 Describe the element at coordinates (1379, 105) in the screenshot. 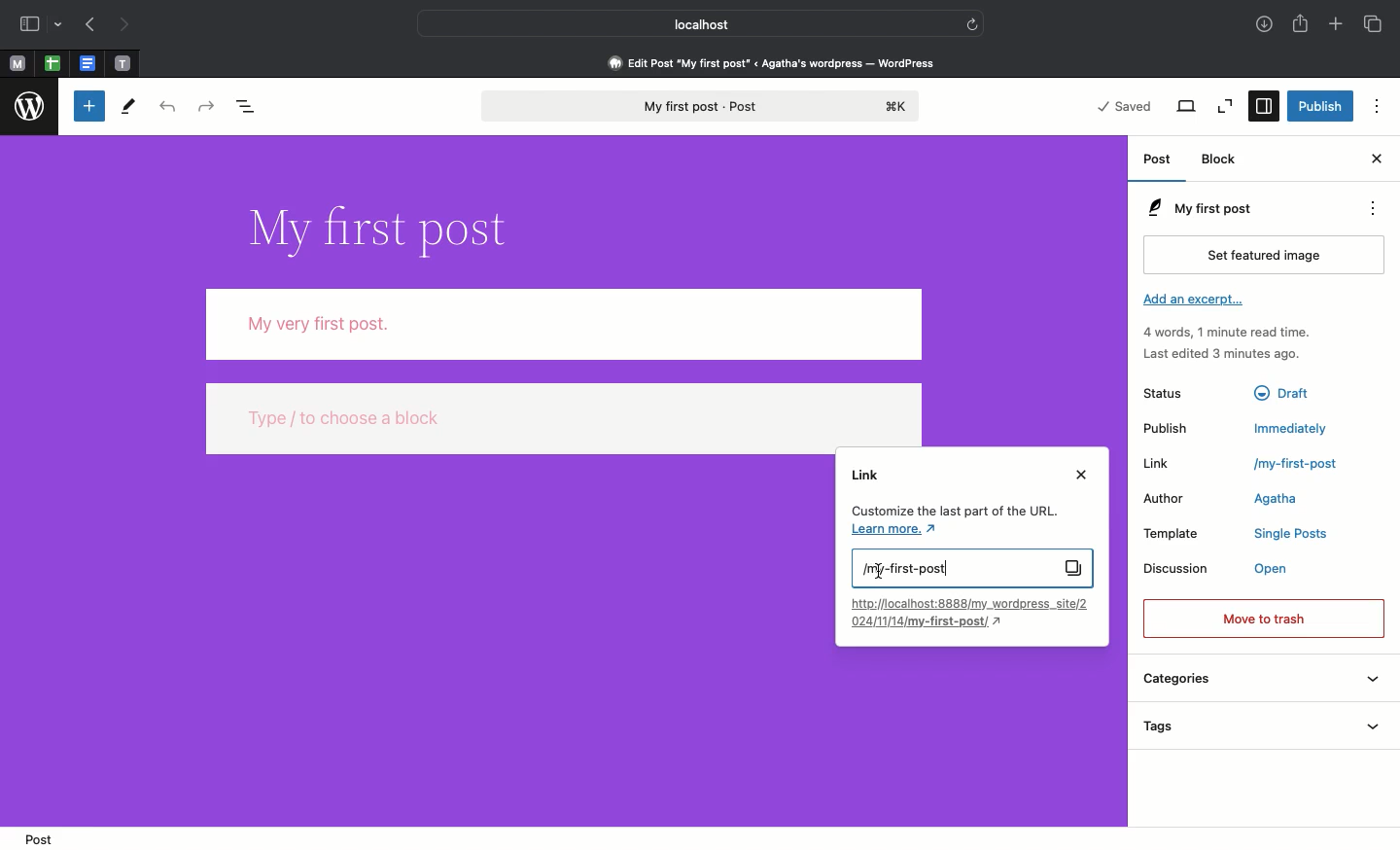

I see `Options` at that location.